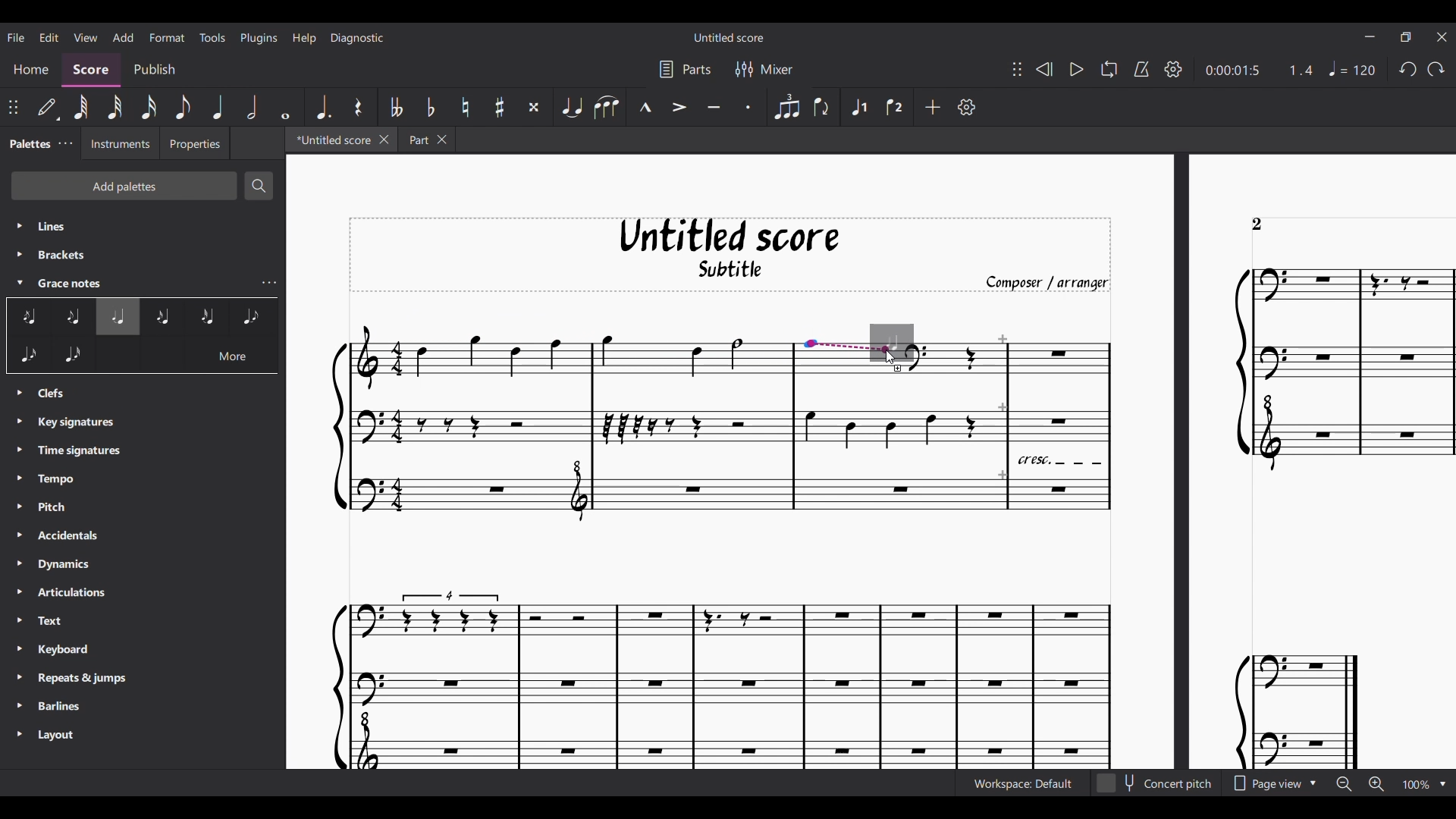  I want to click on Toggle natural, so click(465, 107).